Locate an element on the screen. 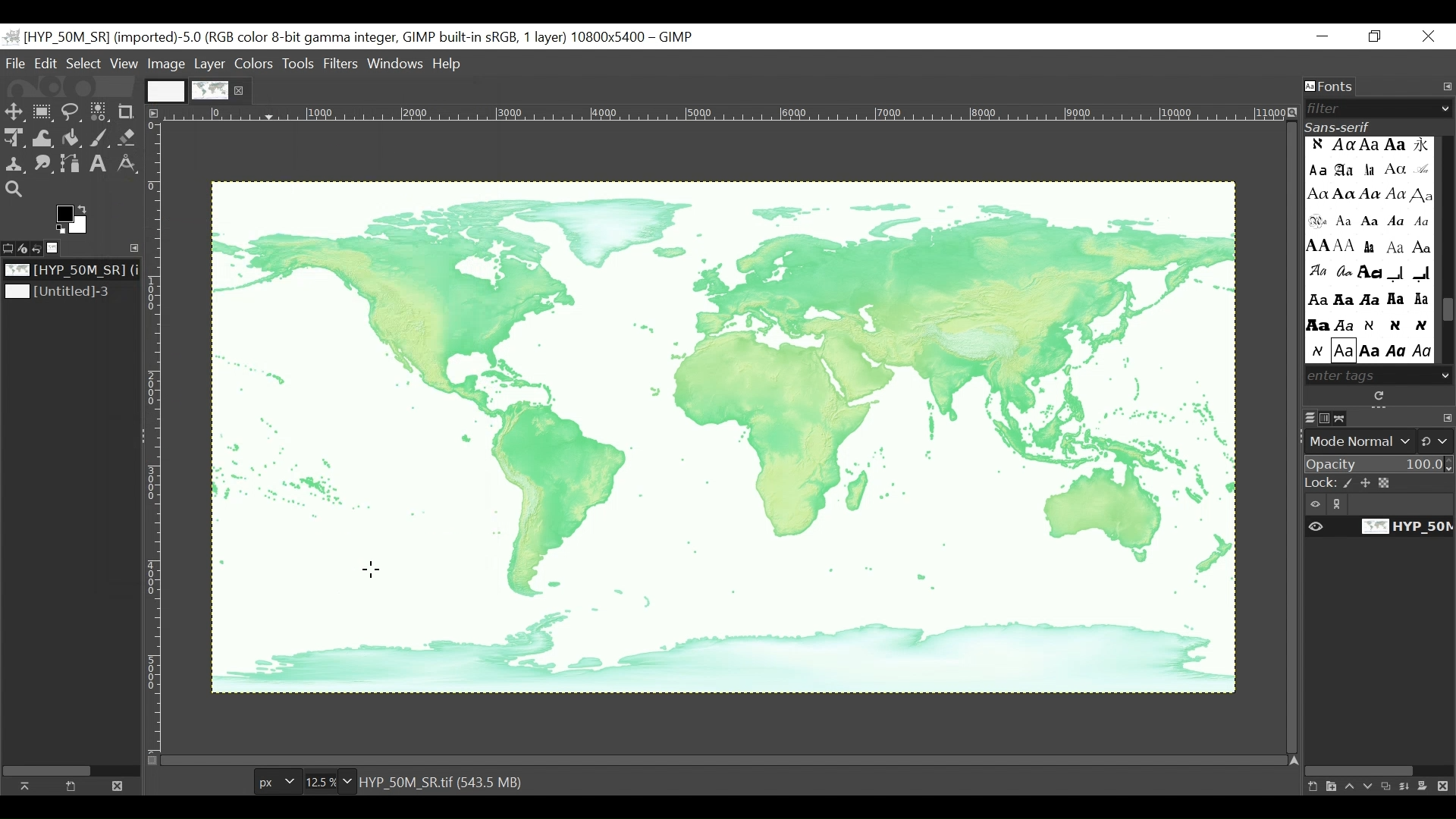  Scroll down is located at coordinates (1446, 375).